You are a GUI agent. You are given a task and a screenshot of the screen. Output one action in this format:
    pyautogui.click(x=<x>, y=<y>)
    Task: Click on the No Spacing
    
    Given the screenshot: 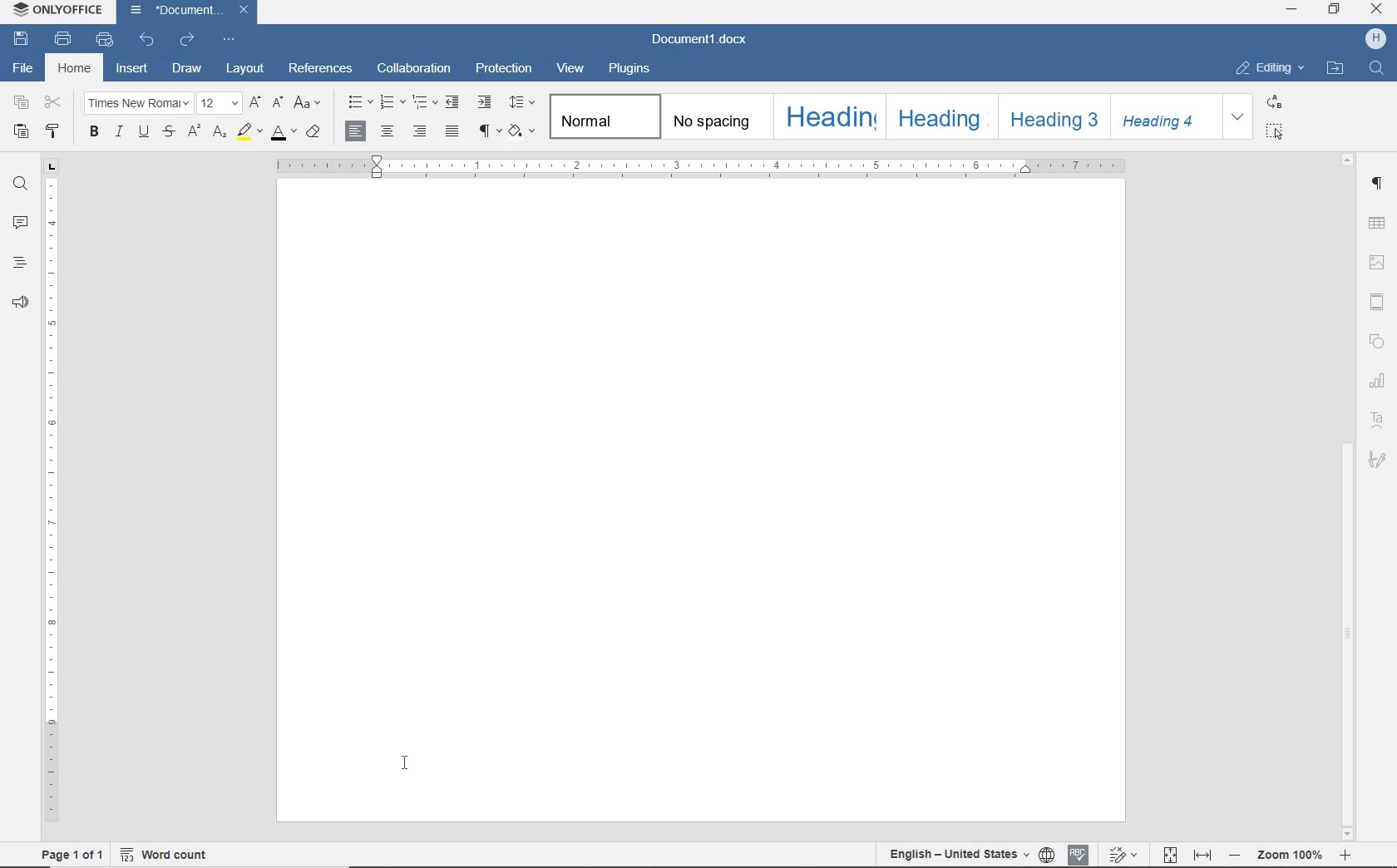 What is the action you would take?
    pyautogui.click(x=720, y=117)
    